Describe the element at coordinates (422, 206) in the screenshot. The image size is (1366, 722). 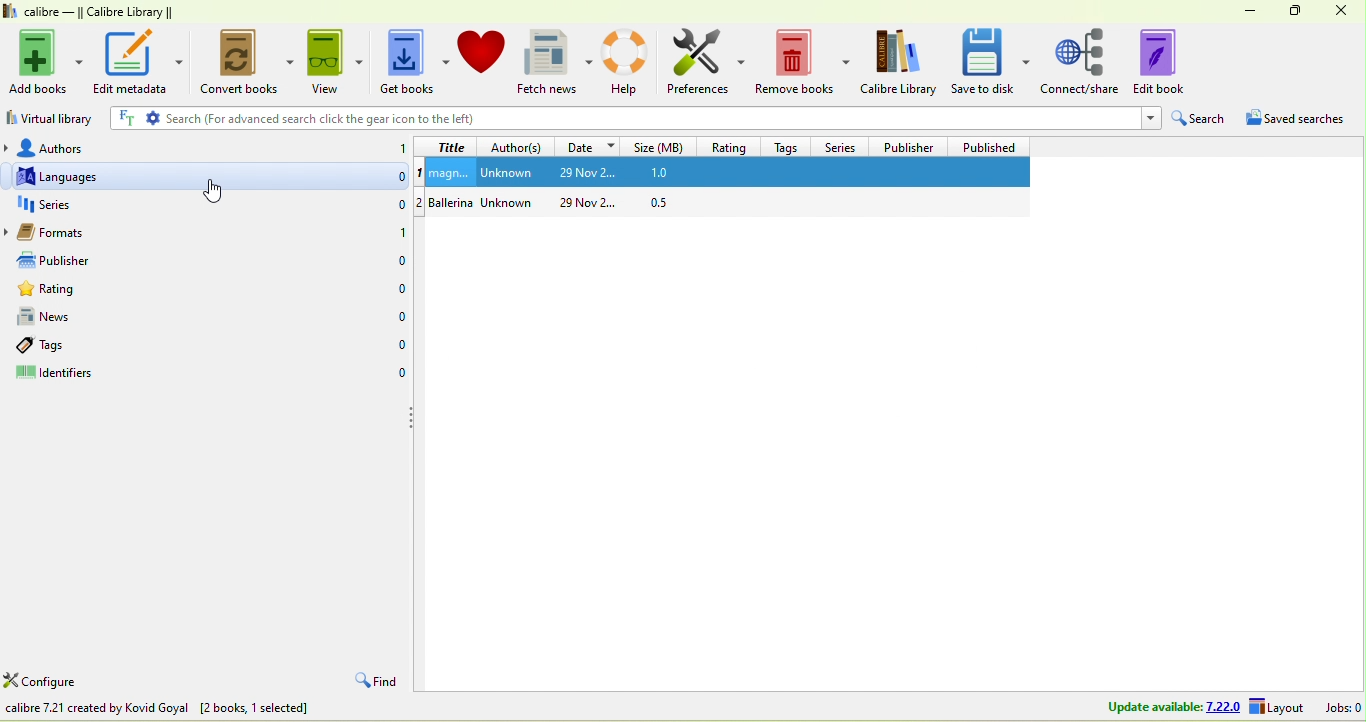
I see `2` at that location.